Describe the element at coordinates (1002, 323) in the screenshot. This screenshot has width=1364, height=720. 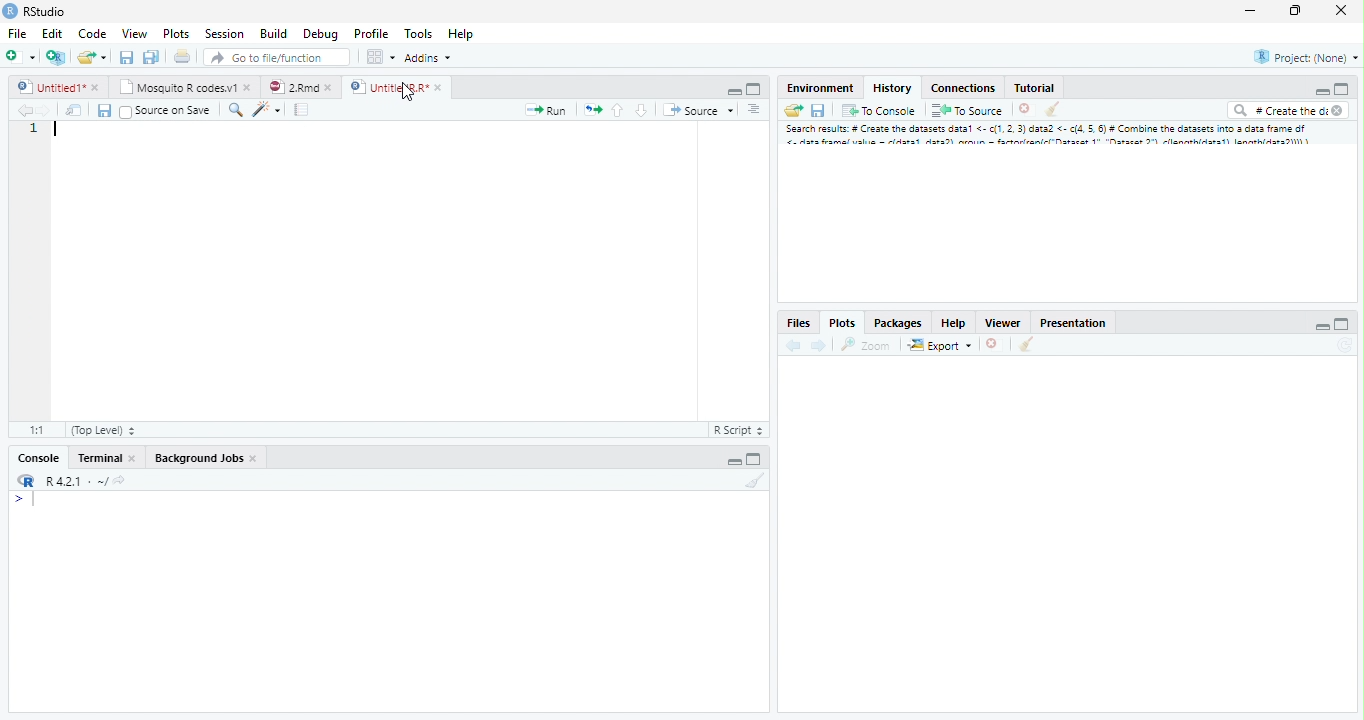
I see `Viewer` at that location.